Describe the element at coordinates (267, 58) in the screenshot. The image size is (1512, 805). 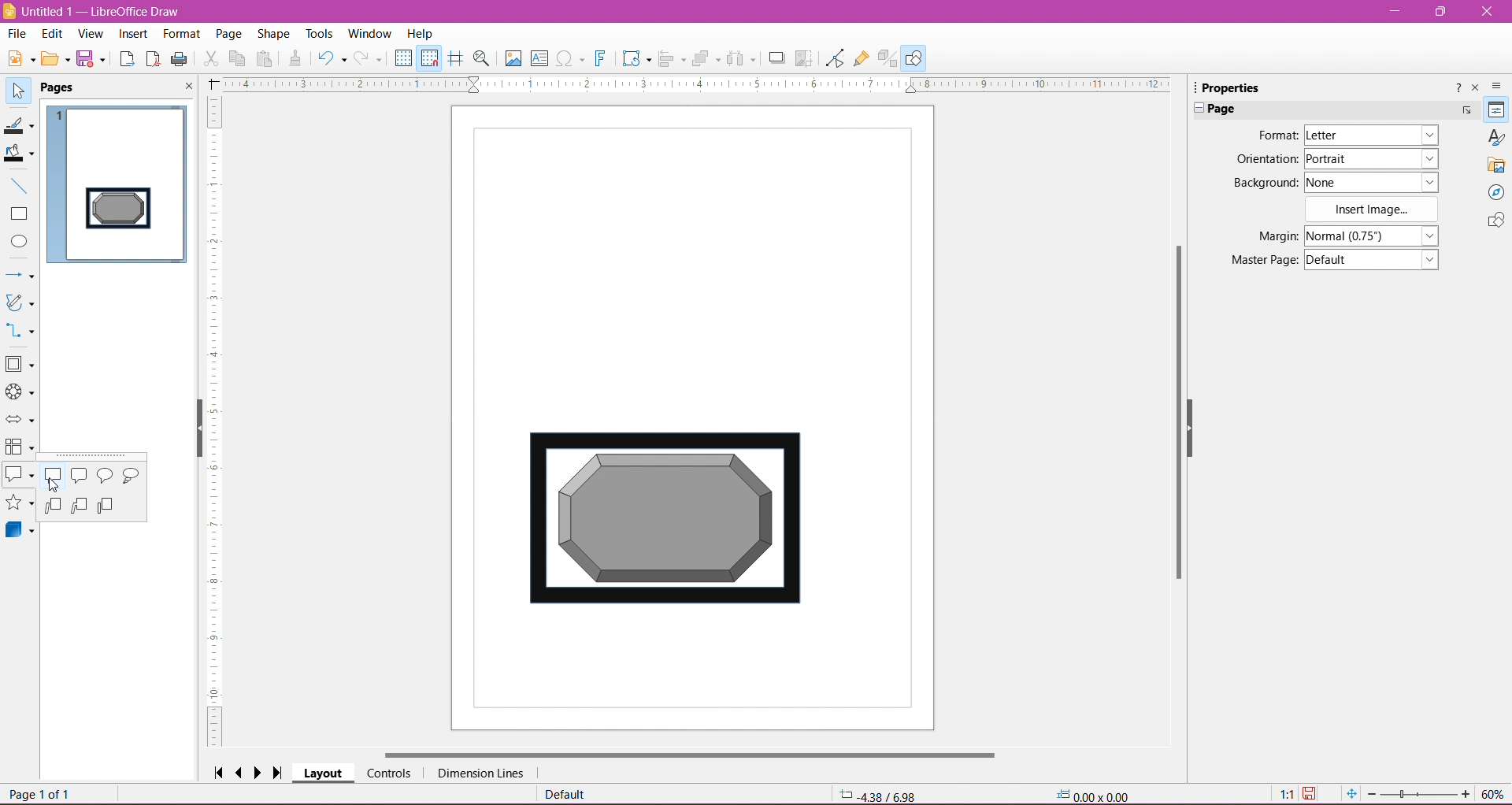
I see `Paste` at that location.